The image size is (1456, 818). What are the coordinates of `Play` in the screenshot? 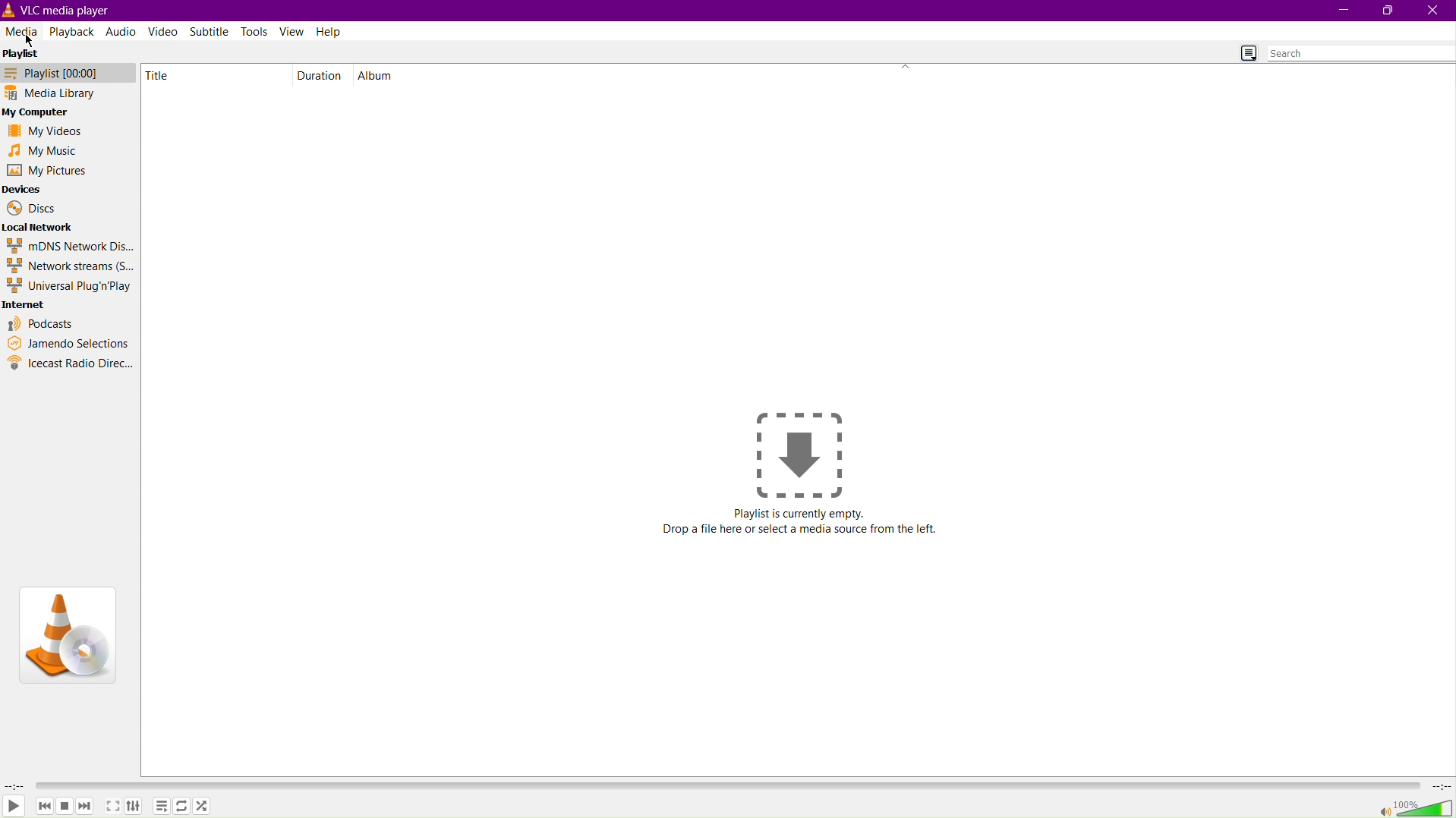 It's located at (15, 807).